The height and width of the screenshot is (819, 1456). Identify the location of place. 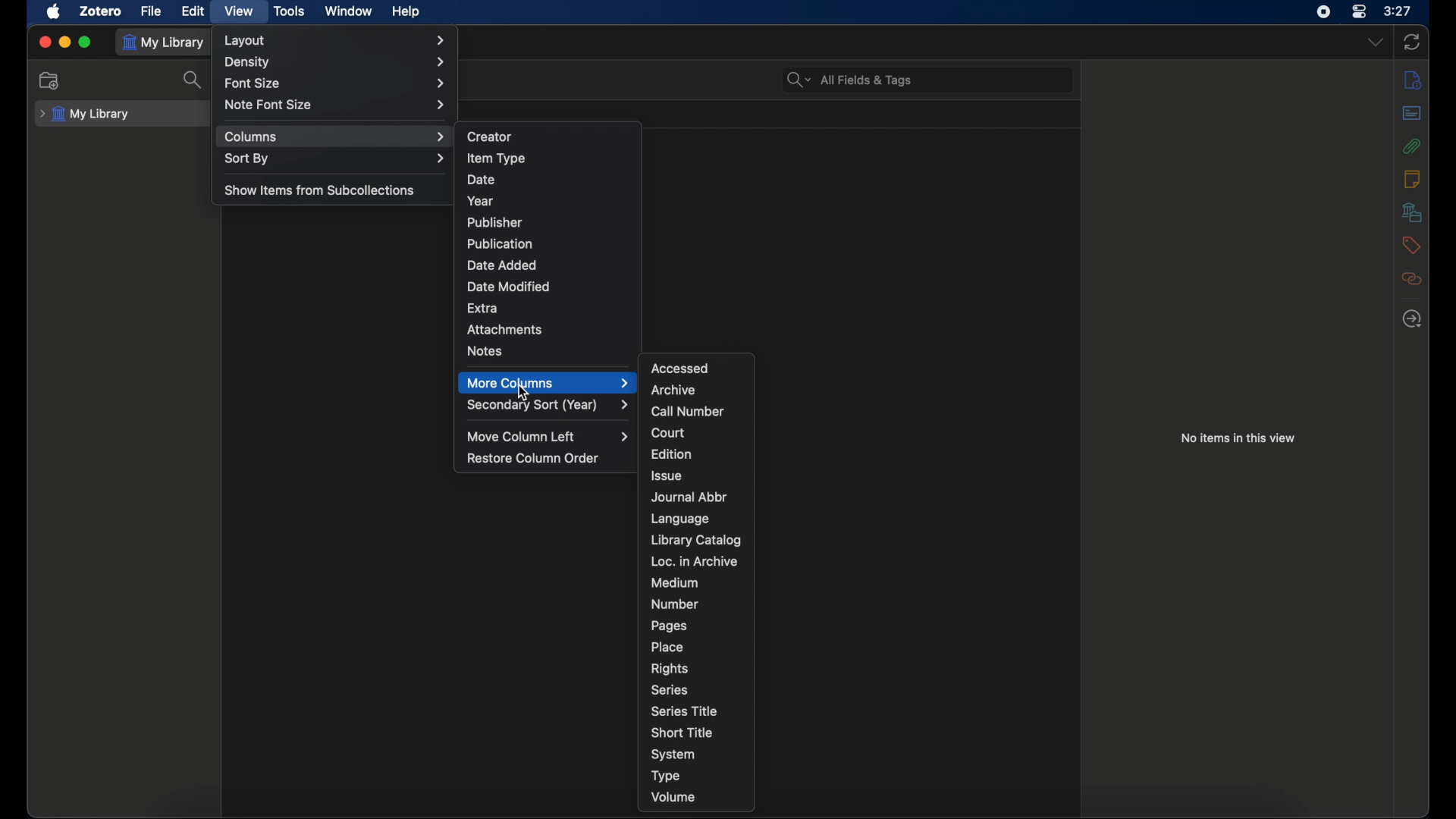
(667, 647).